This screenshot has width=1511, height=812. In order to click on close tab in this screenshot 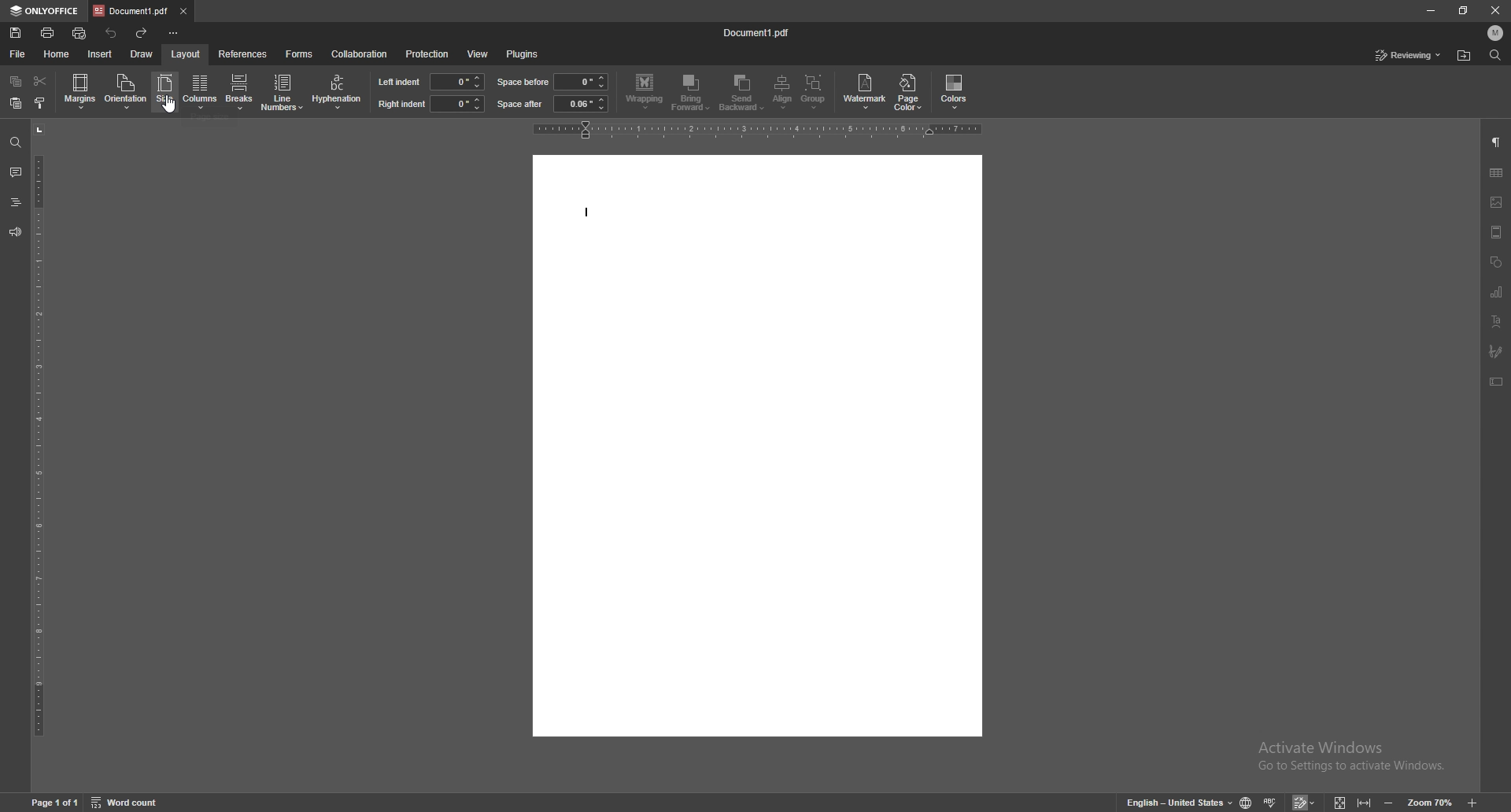, I will do `click(183, 10)`.